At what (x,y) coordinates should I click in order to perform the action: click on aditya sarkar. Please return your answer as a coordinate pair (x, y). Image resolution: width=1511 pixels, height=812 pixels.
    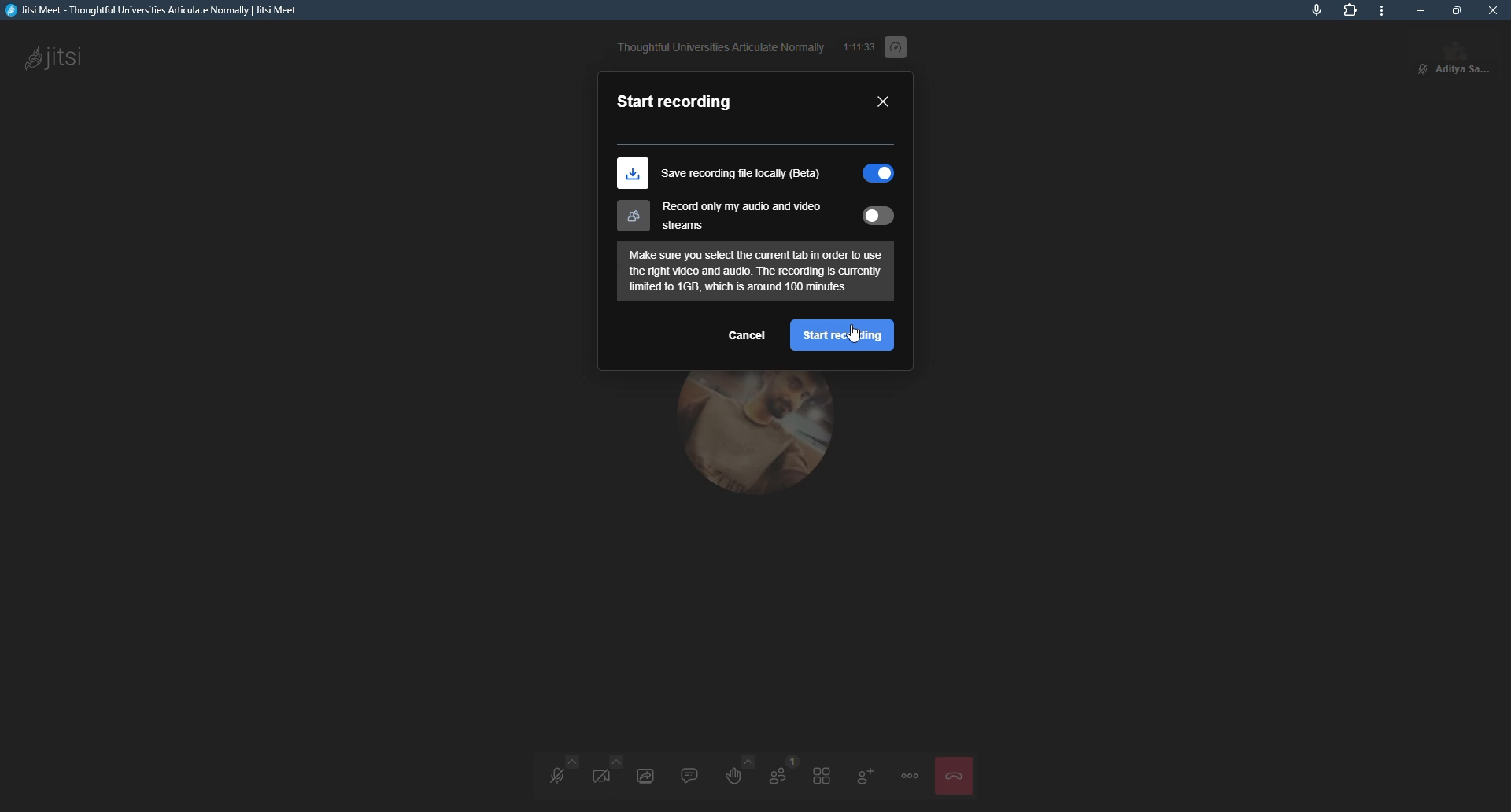
    Looking at the image, I should click on (1456, 55).